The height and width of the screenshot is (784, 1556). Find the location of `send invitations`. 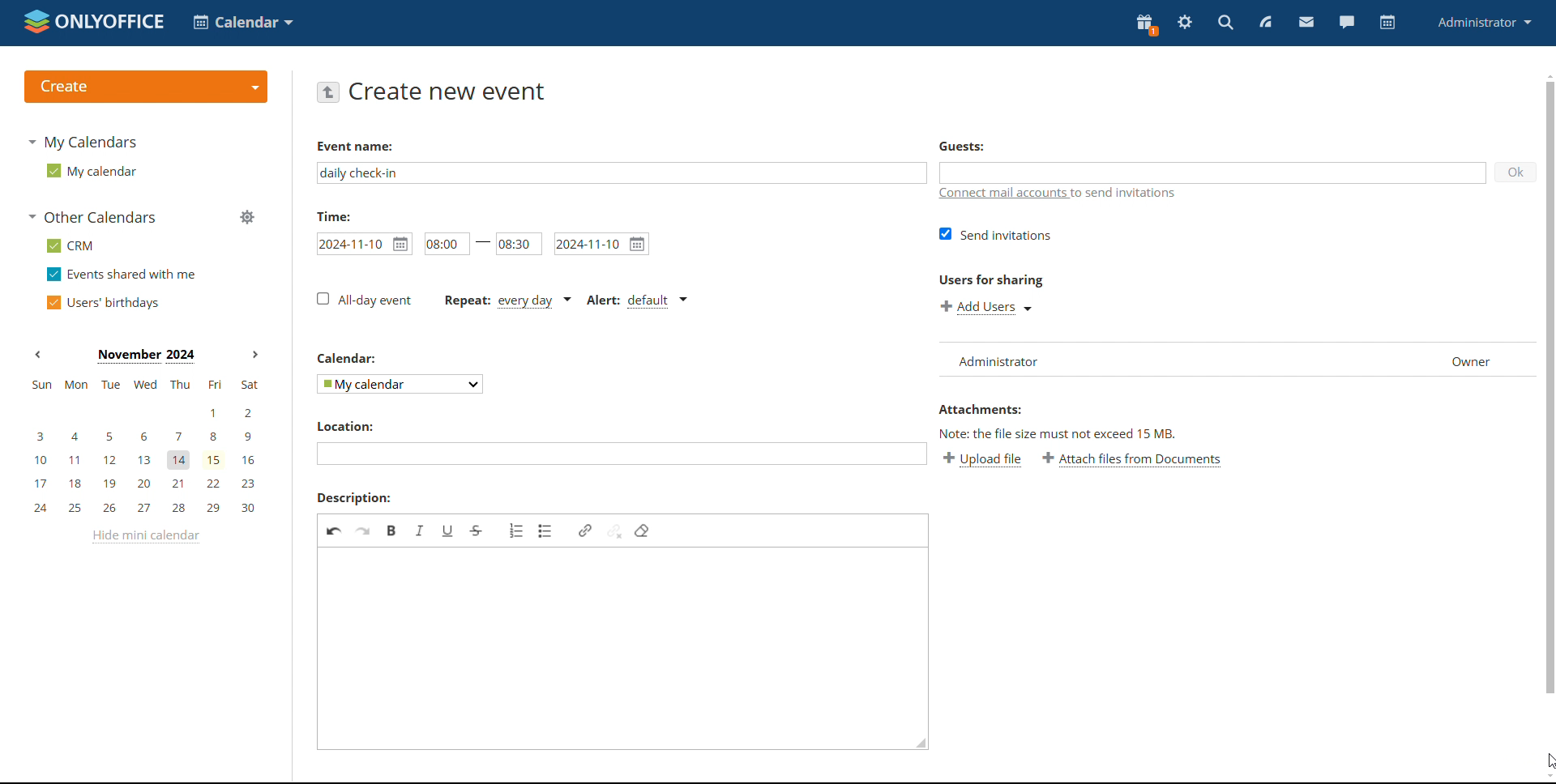

send invitations is located at coordinates (997, 234).